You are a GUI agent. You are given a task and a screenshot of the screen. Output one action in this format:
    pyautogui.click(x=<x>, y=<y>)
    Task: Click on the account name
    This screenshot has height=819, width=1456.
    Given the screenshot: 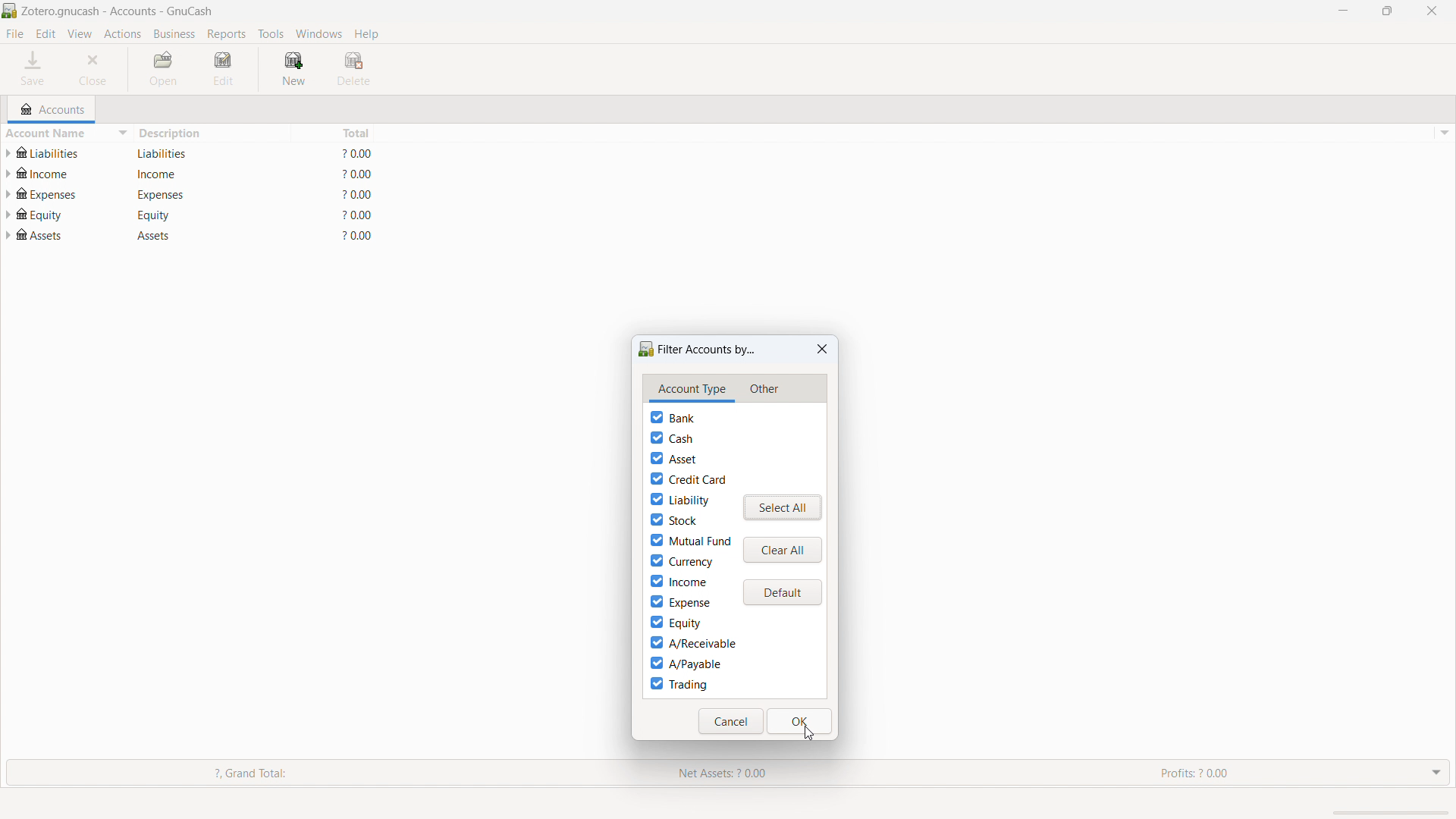 What is the action you would take?
    pyautogui.click(x=55, y=196)
    